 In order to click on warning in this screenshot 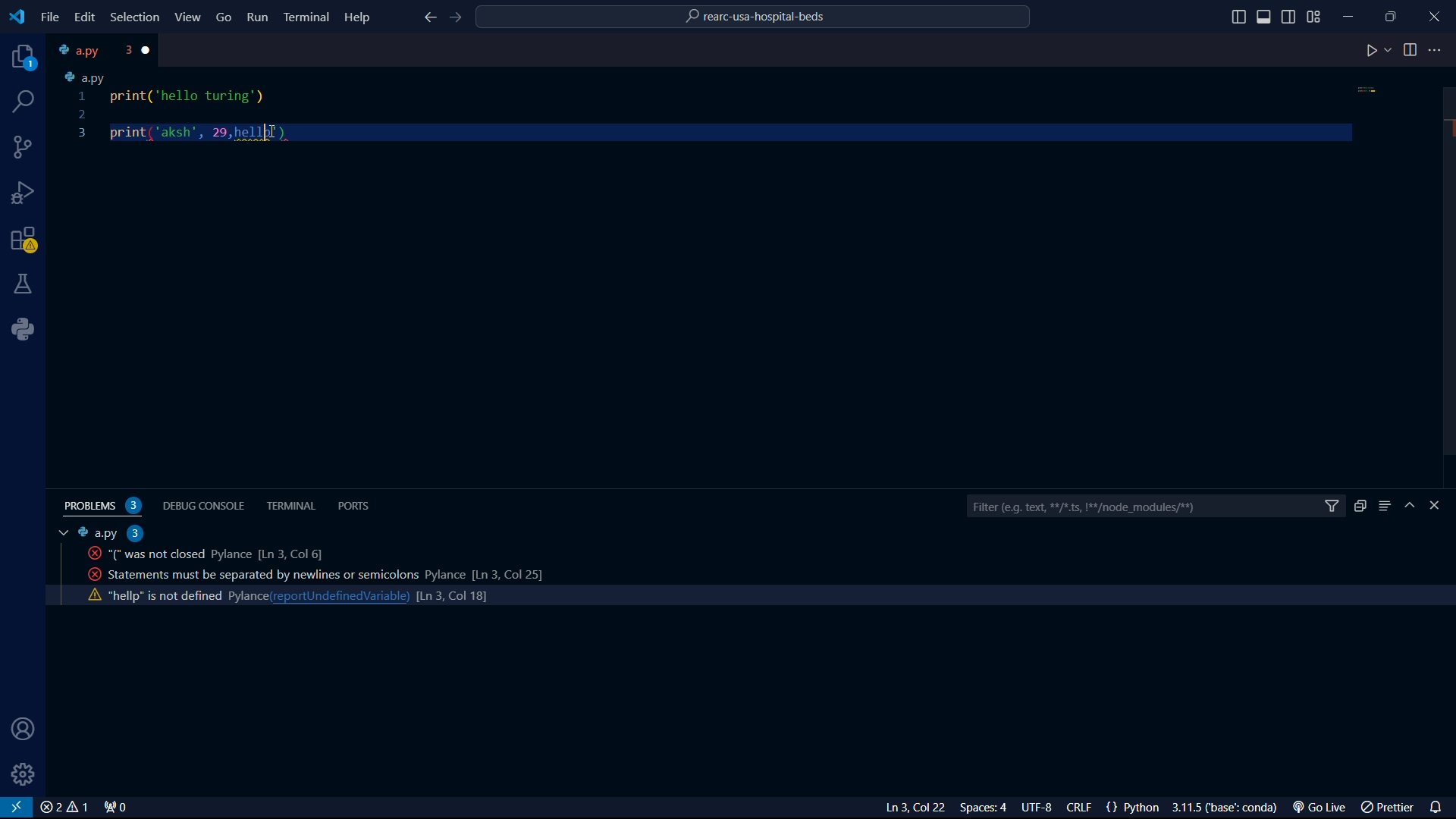, I will do `click(24, 242)`.